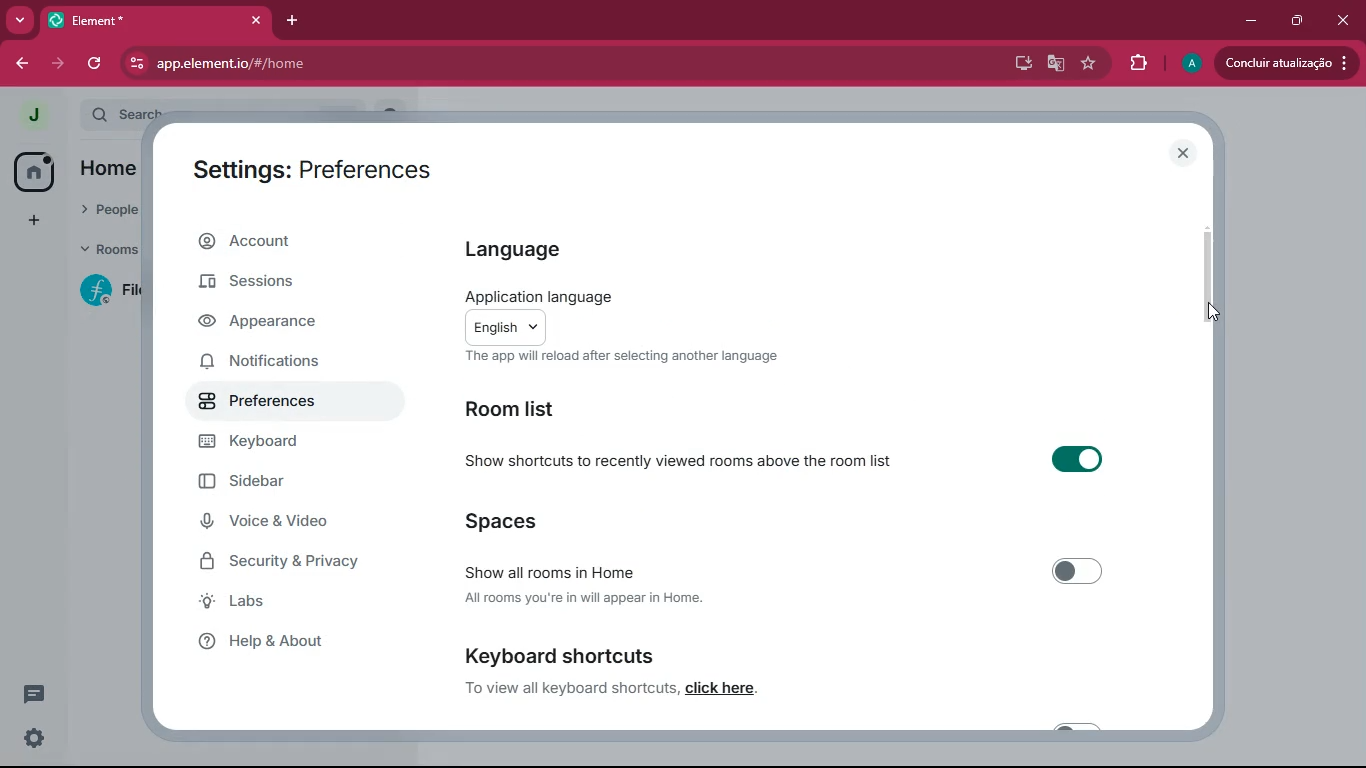 The image size is (1366, 768). I want to click on voice & video, so click(280, 523).